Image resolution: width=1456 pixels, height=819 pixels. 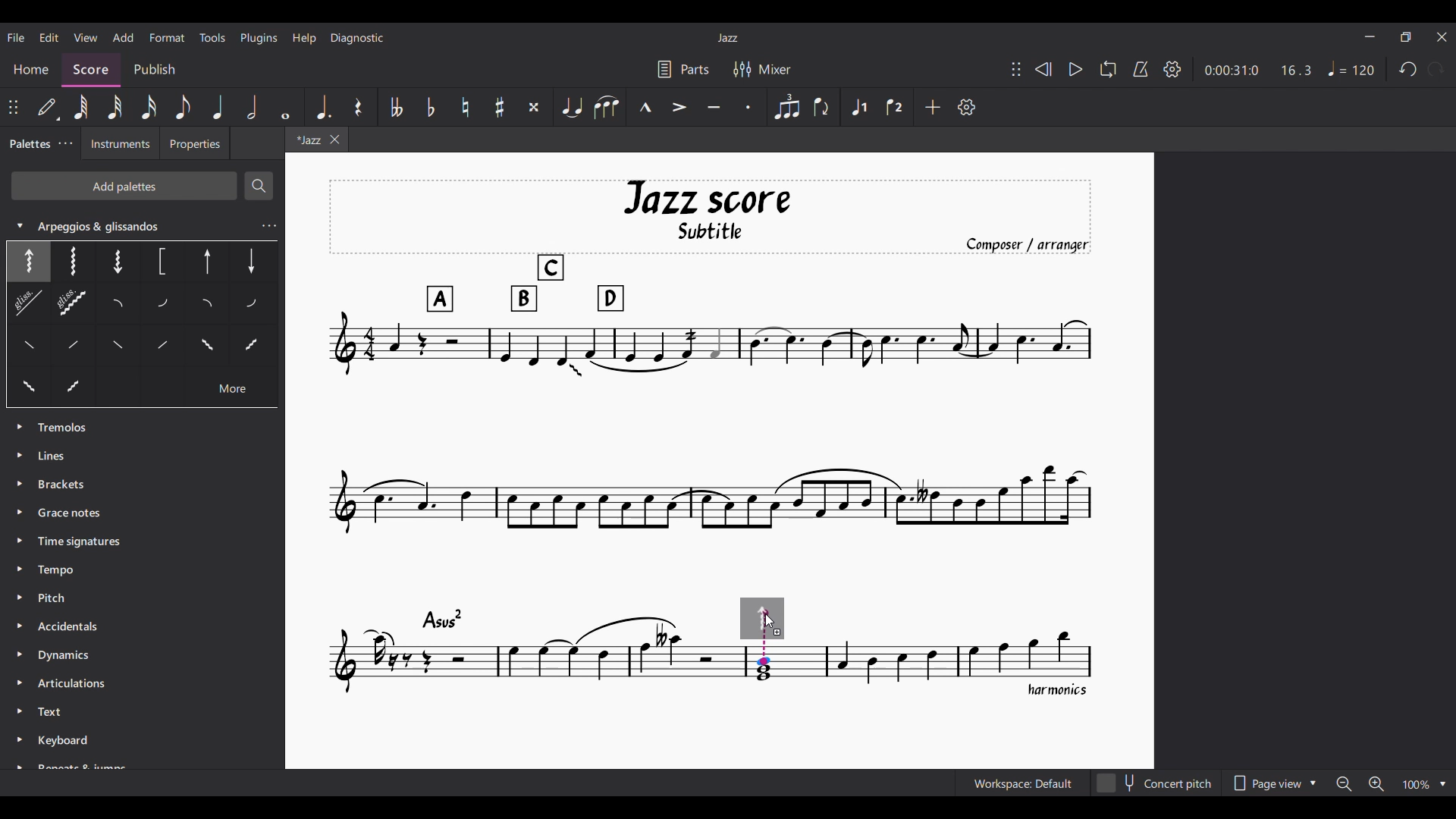 I want to click on , so click(x=254, y=347).